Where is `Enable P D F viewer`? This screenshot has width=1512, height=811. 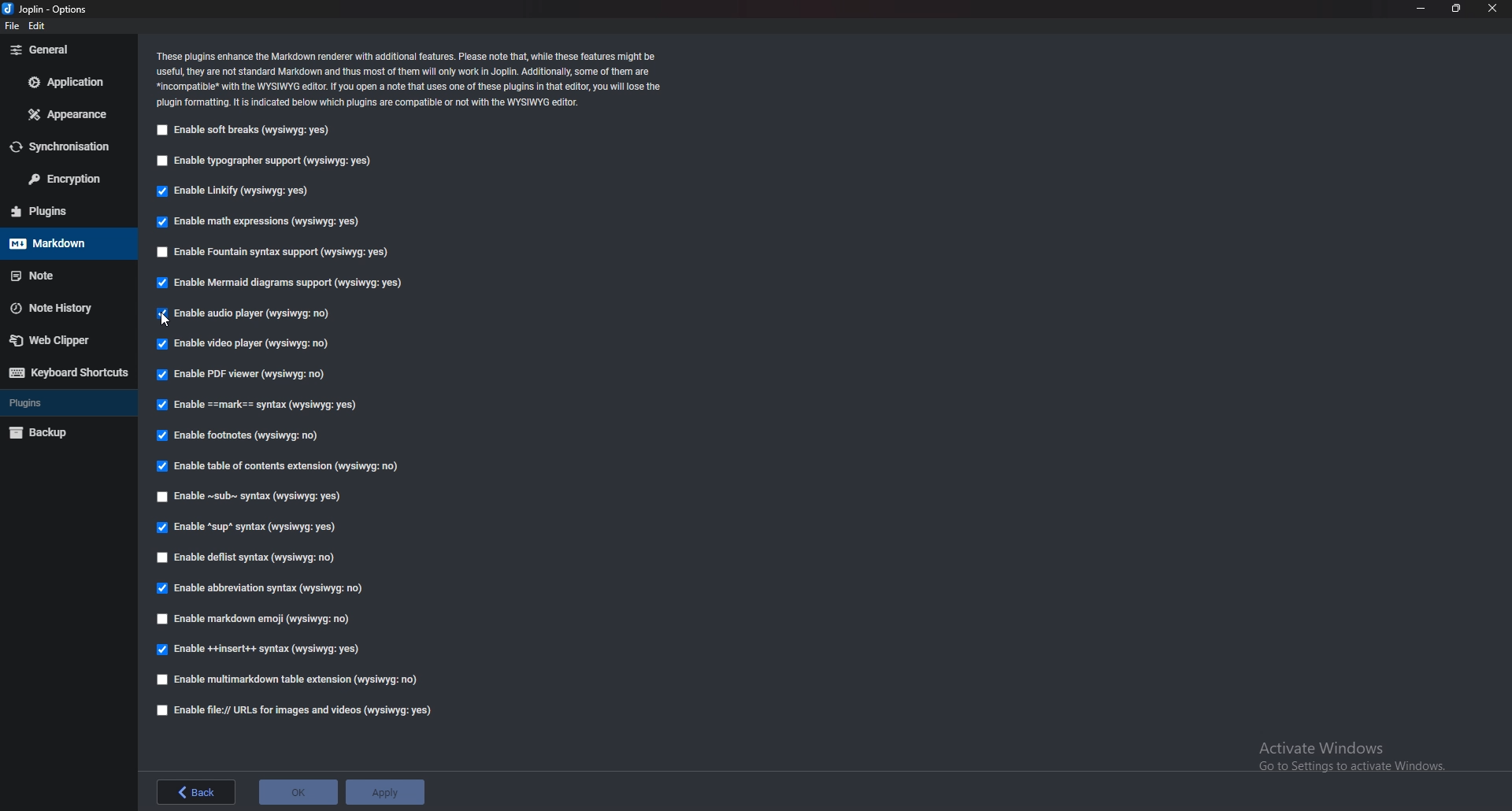 Enable P D F viewer is located at coordinates (246, 376).